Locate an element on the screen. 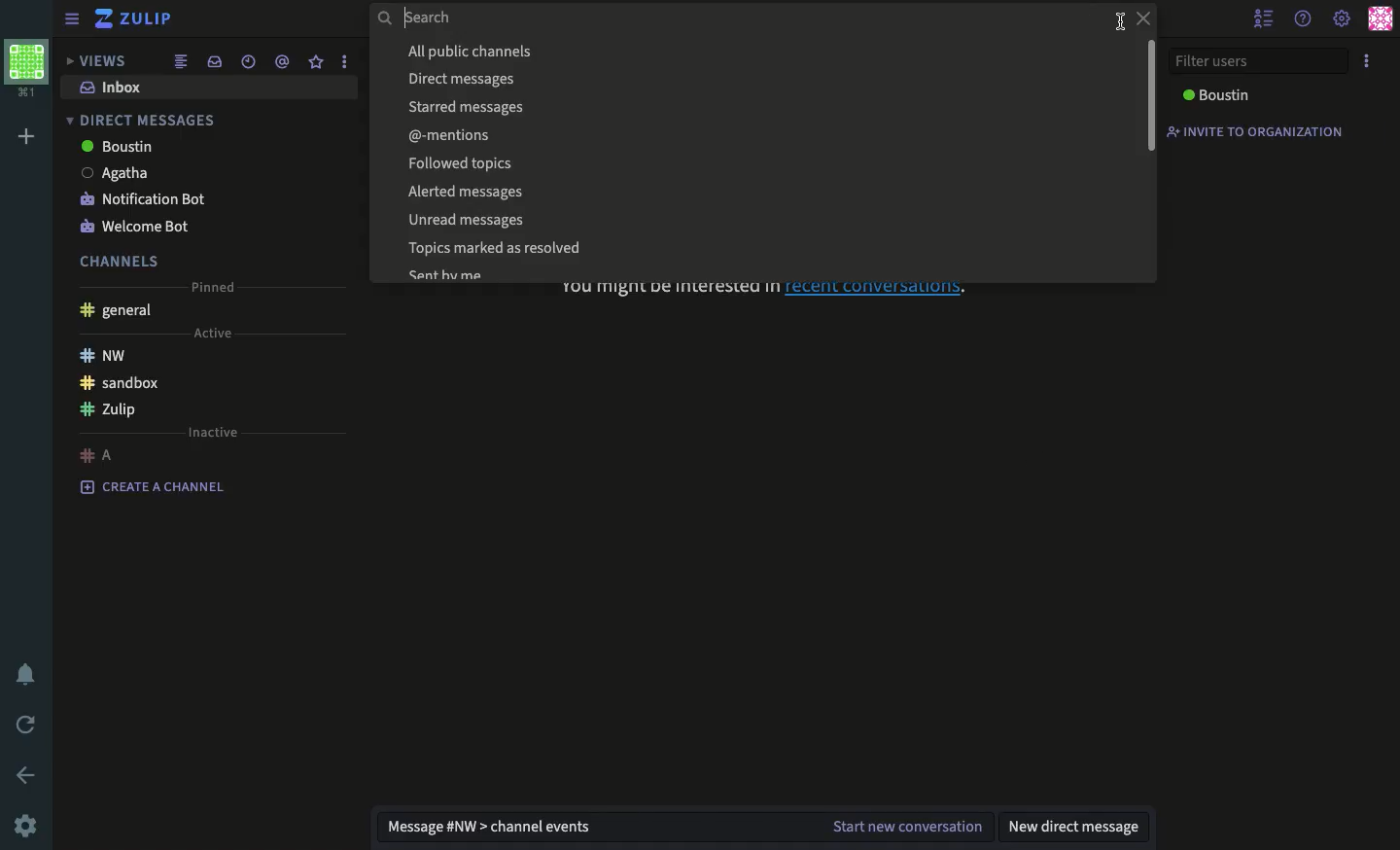  channels is located at coordinates (121, 261).